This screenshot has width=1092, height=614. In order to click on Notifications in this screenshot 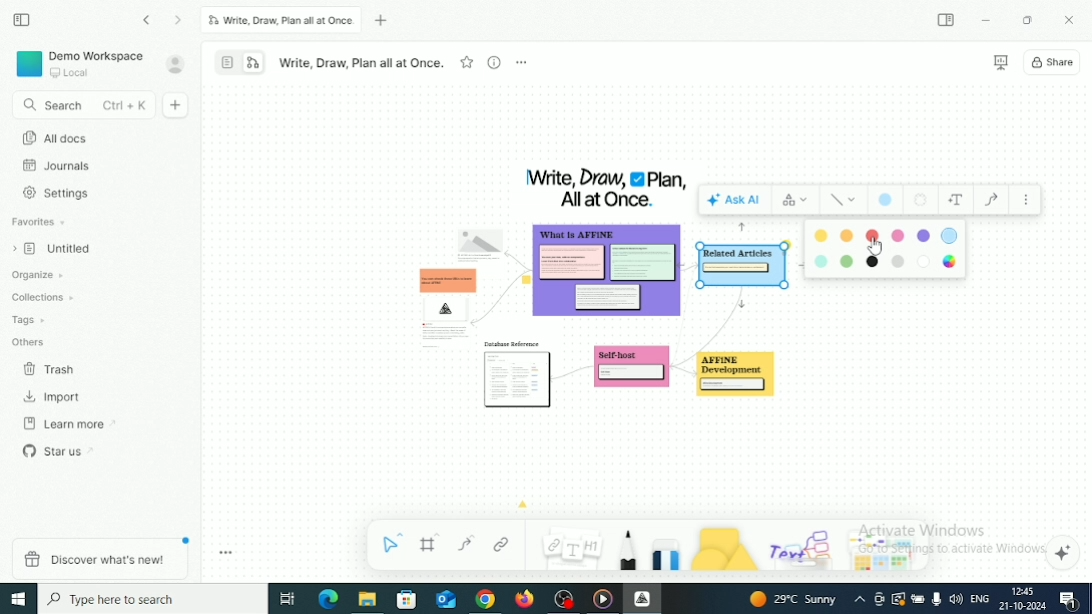, I will do `click(1067, 600)`.